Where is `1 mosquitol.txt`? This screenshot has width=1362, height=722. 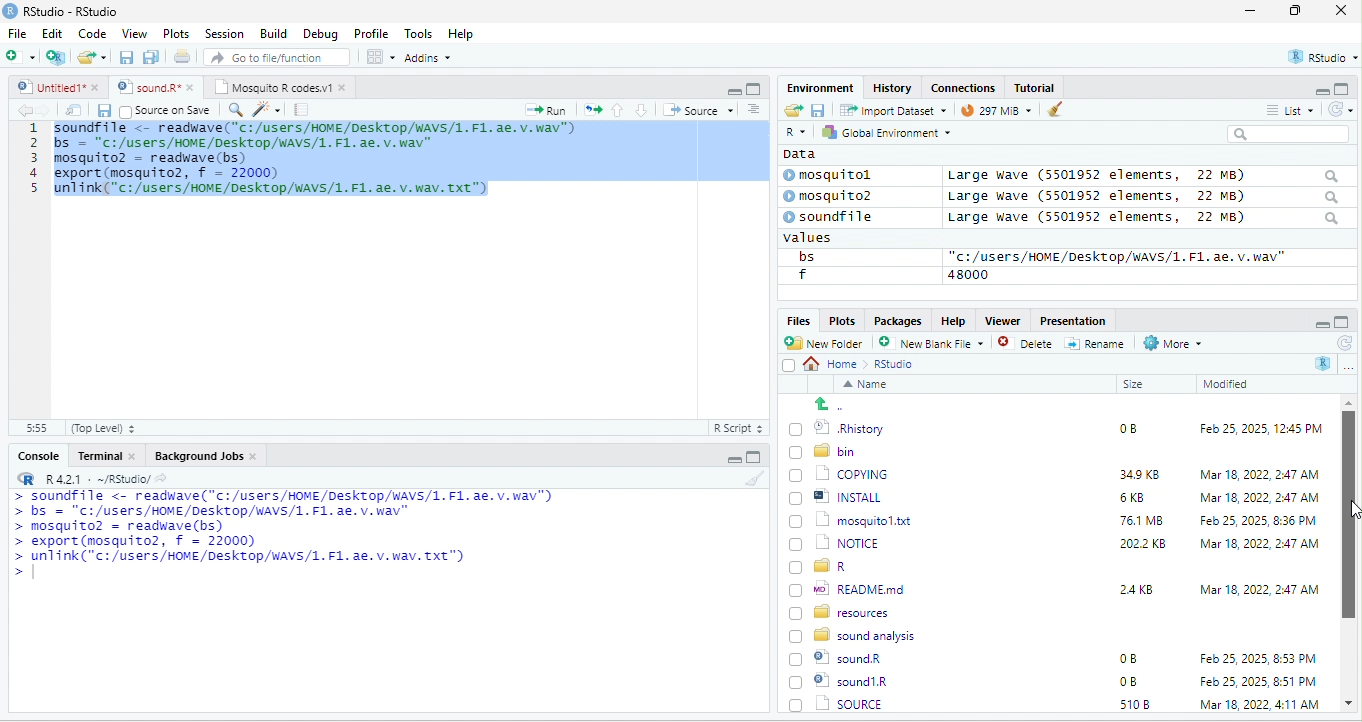 1 mosquitol.txt is located at coordinates (844, 519).